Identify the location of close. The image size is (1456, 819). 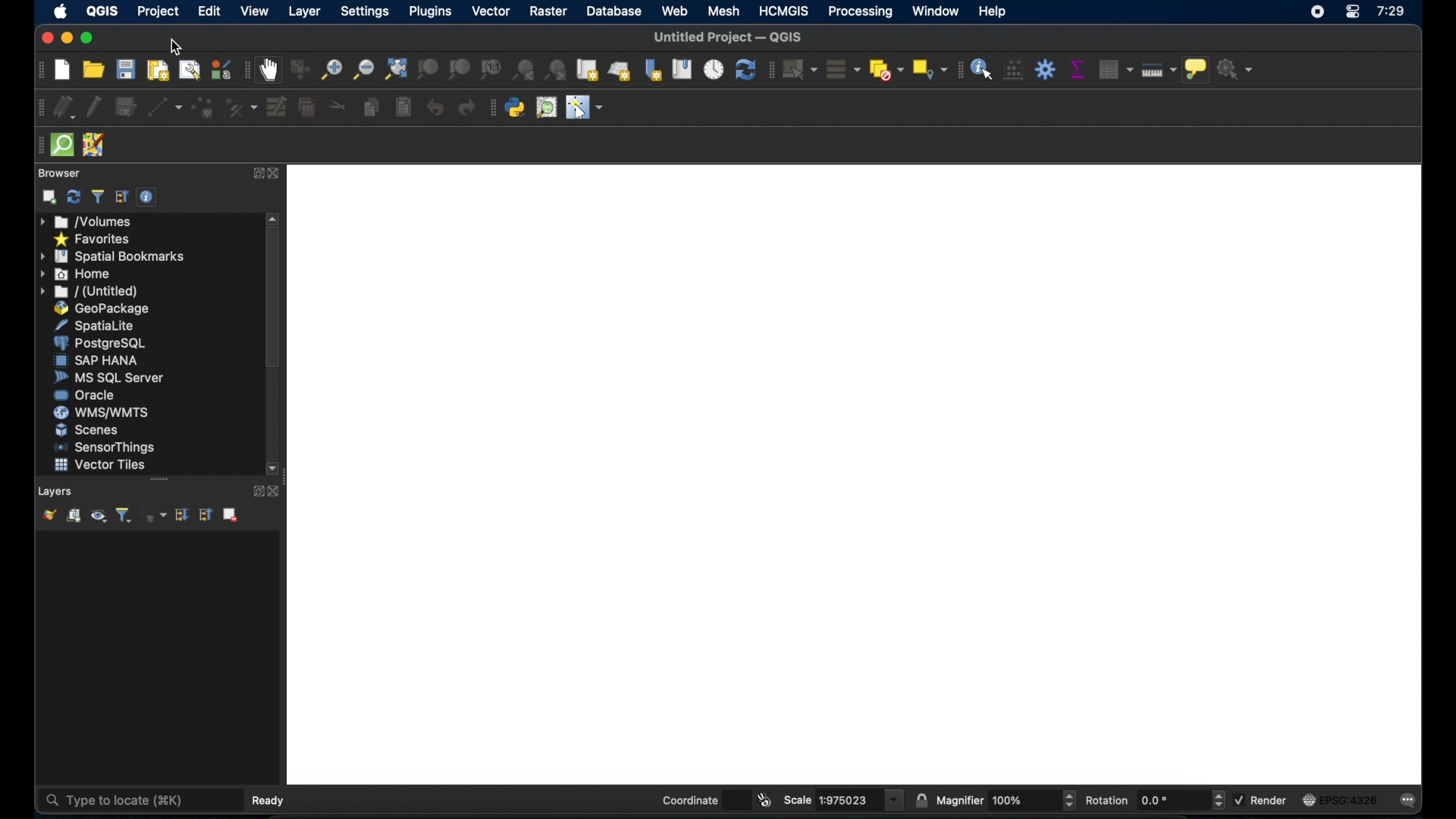
(278, 491).